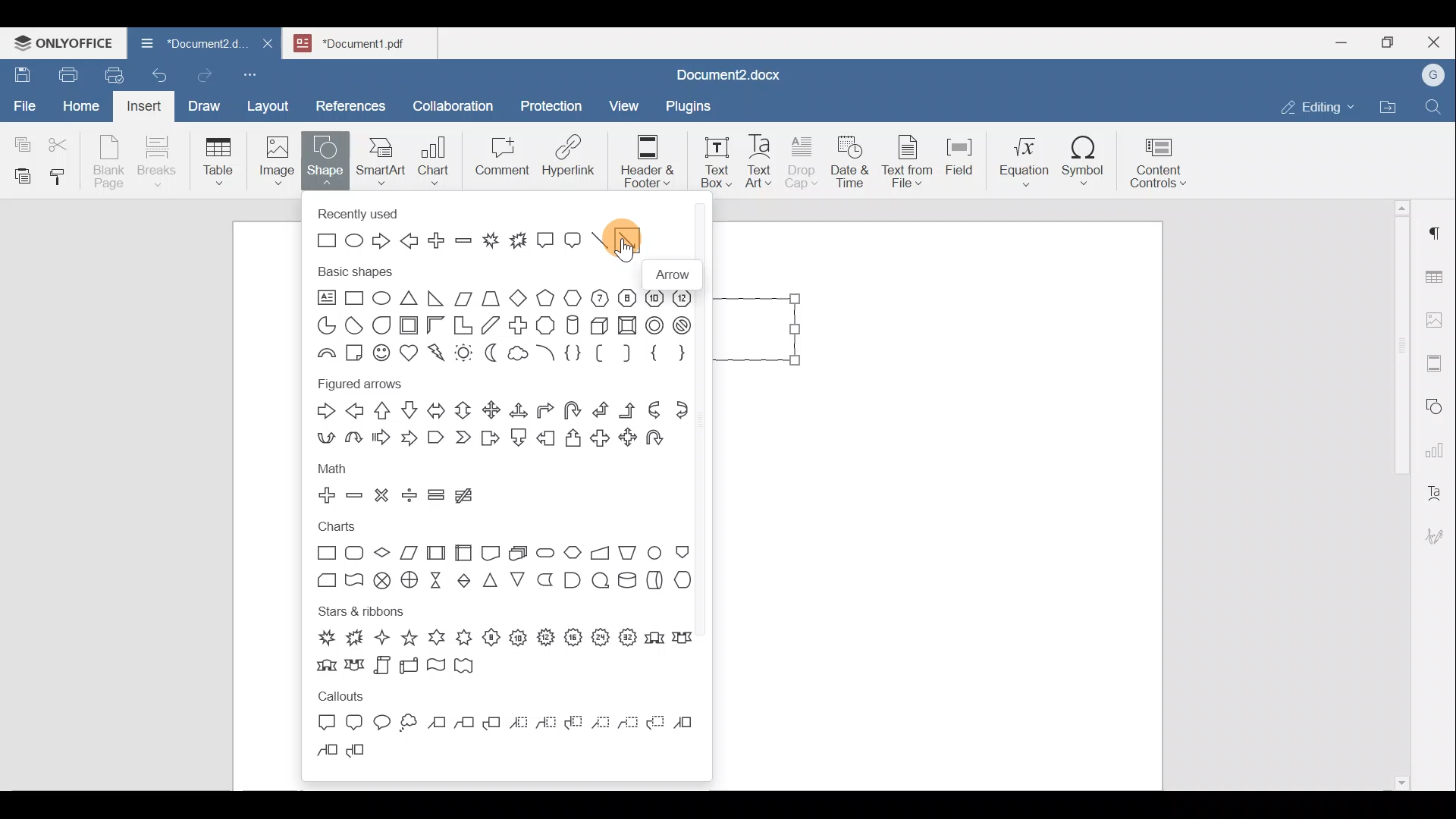  Describe the element at coordinates (63, 173) in the screenshot. I see `Copy style` at that location.